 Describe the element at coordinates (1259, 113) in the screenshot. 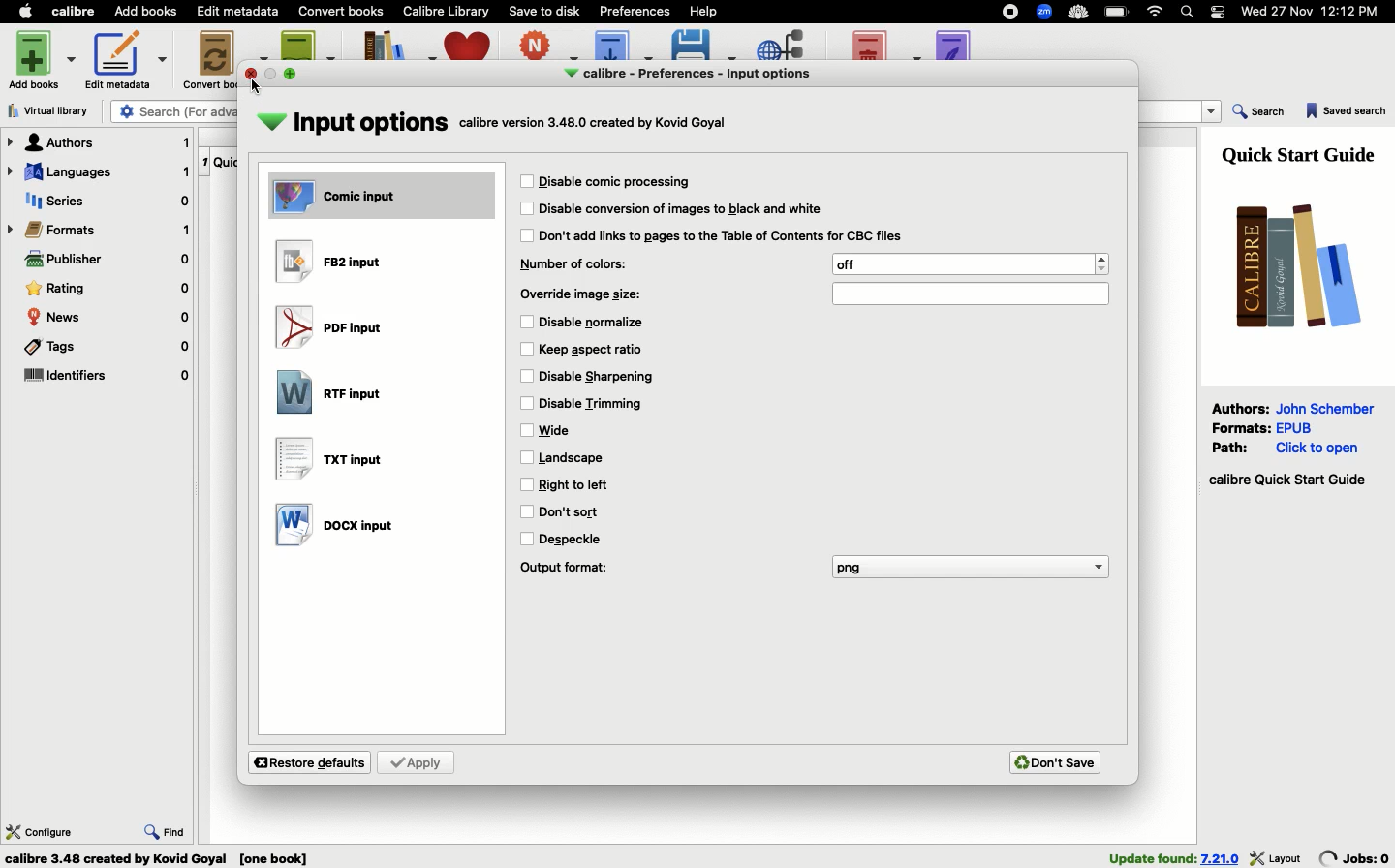

I see `Search` at that location.